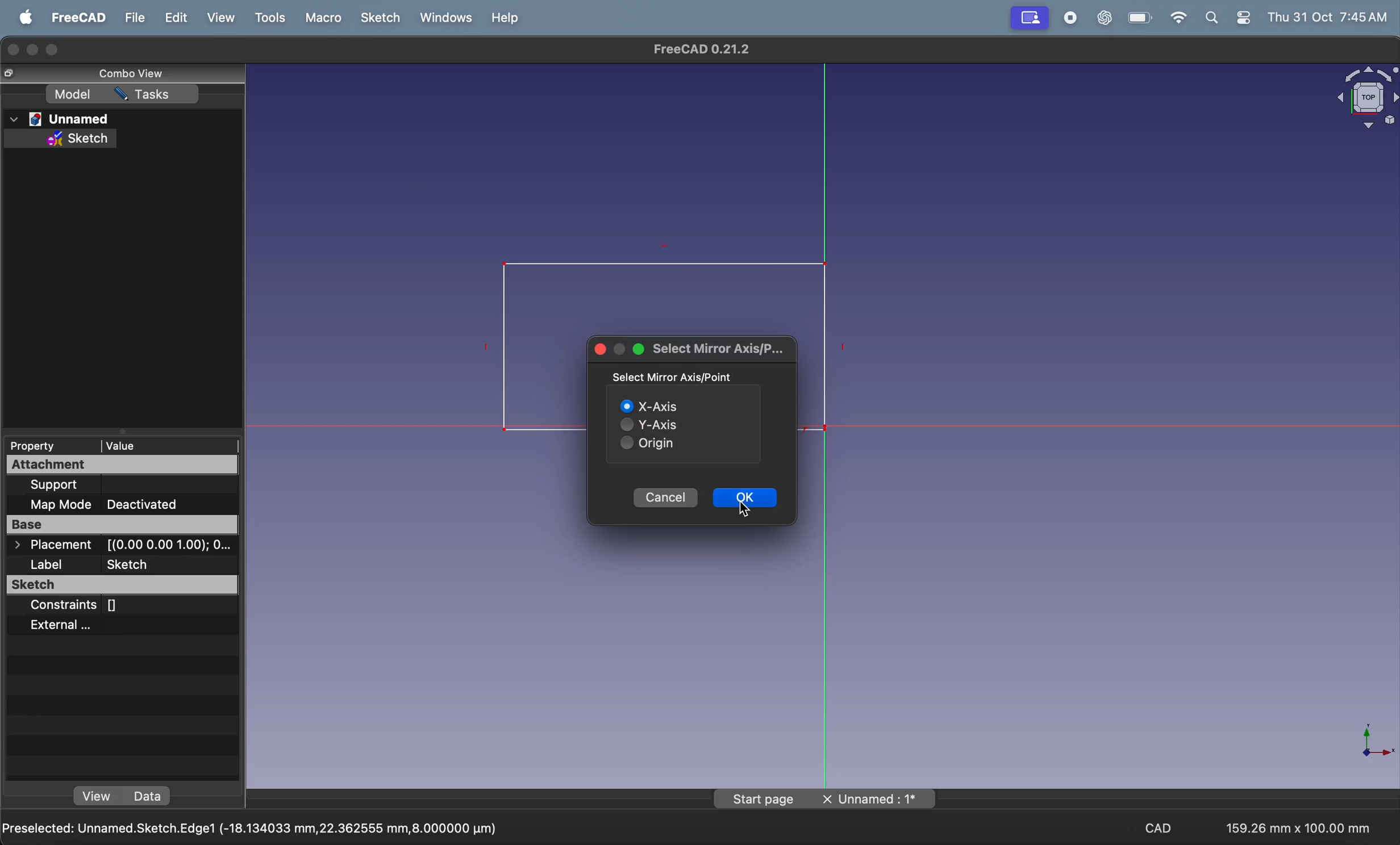 The image size is (1400, 845). What do you see at coordinates (1227, 19) in the screenshot?
I see `apple widgets` at bounding box center [1227, 19].